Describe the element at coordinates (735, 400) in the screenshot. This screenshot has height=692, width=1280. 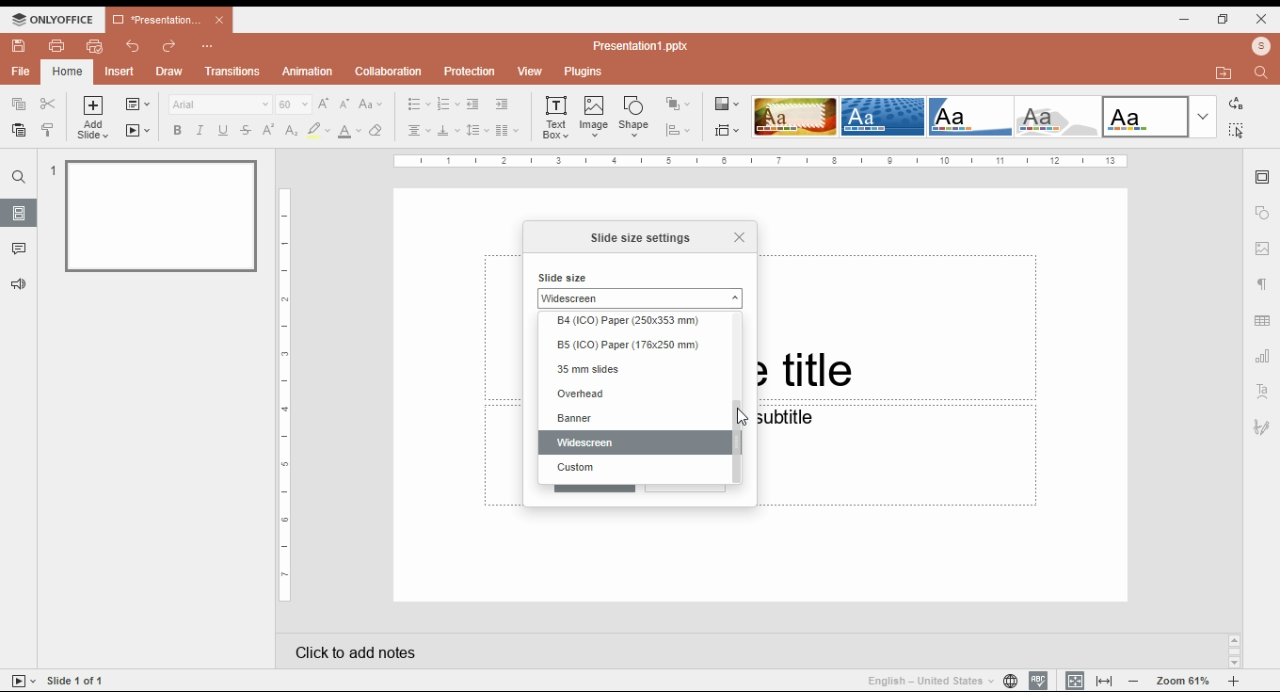
I see `scroll bar` at that location.